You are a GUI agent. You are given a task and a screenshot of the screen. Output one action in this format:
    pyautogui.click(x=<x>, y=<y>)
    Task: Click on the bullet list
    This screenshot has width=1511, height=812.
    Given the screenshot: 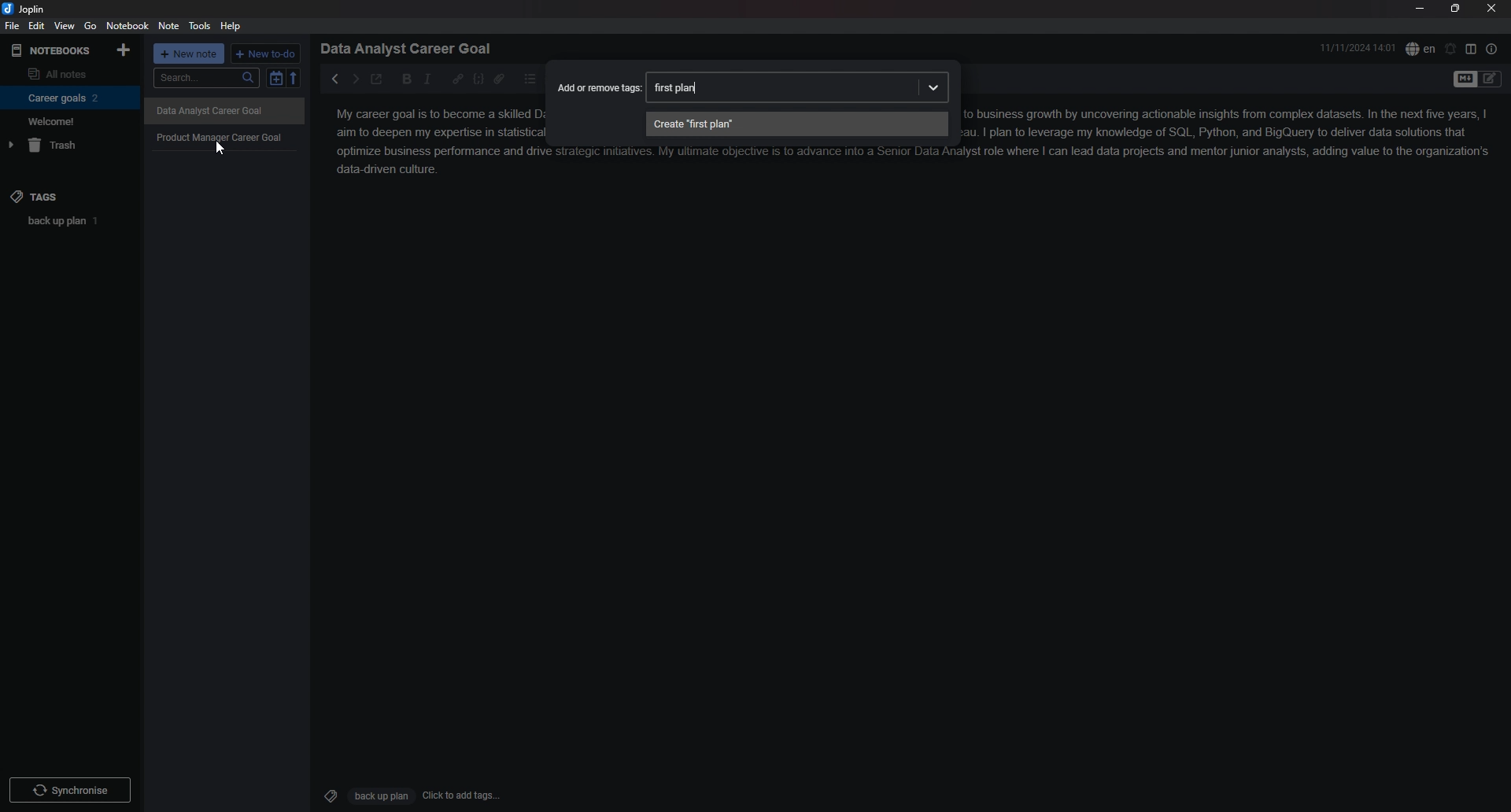 What is the action you would take?
    pyautogui.click(x=530, y=79)
    